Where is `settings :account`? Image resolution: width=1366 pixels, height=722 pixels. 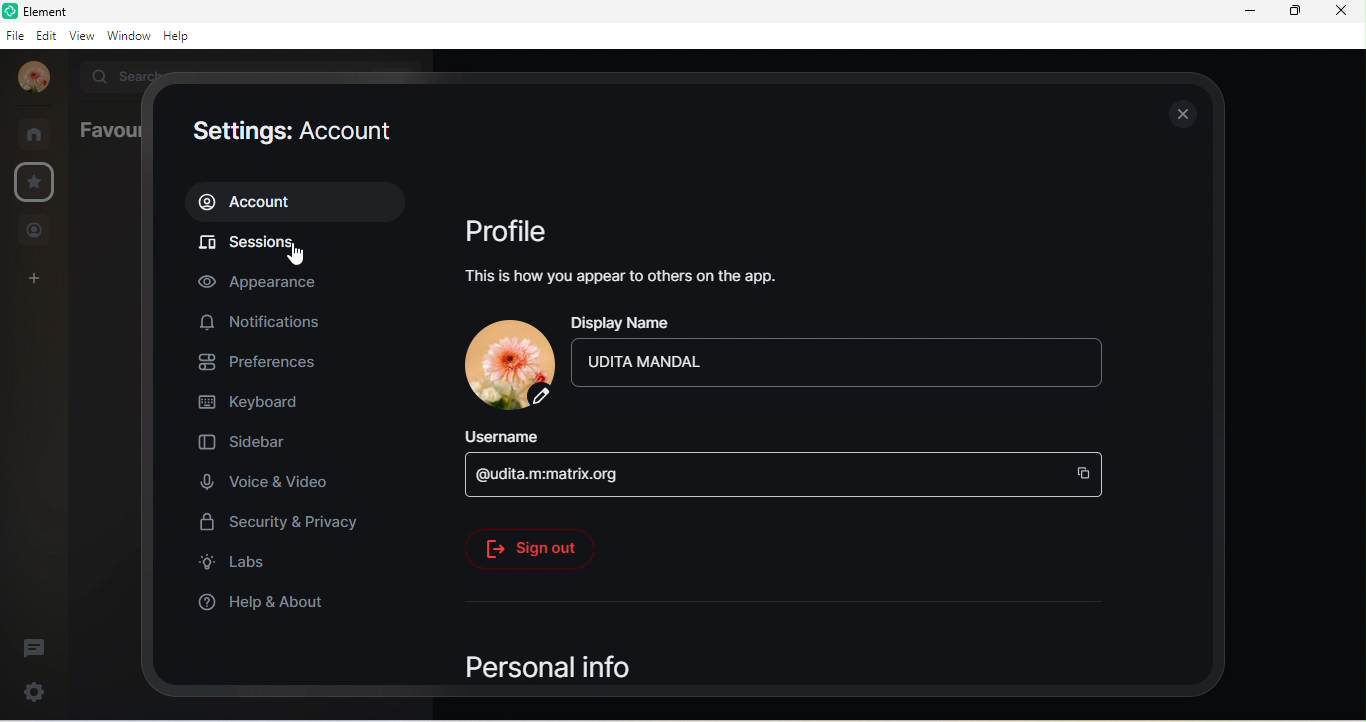
settings :account is located at coordinates (292, 134).